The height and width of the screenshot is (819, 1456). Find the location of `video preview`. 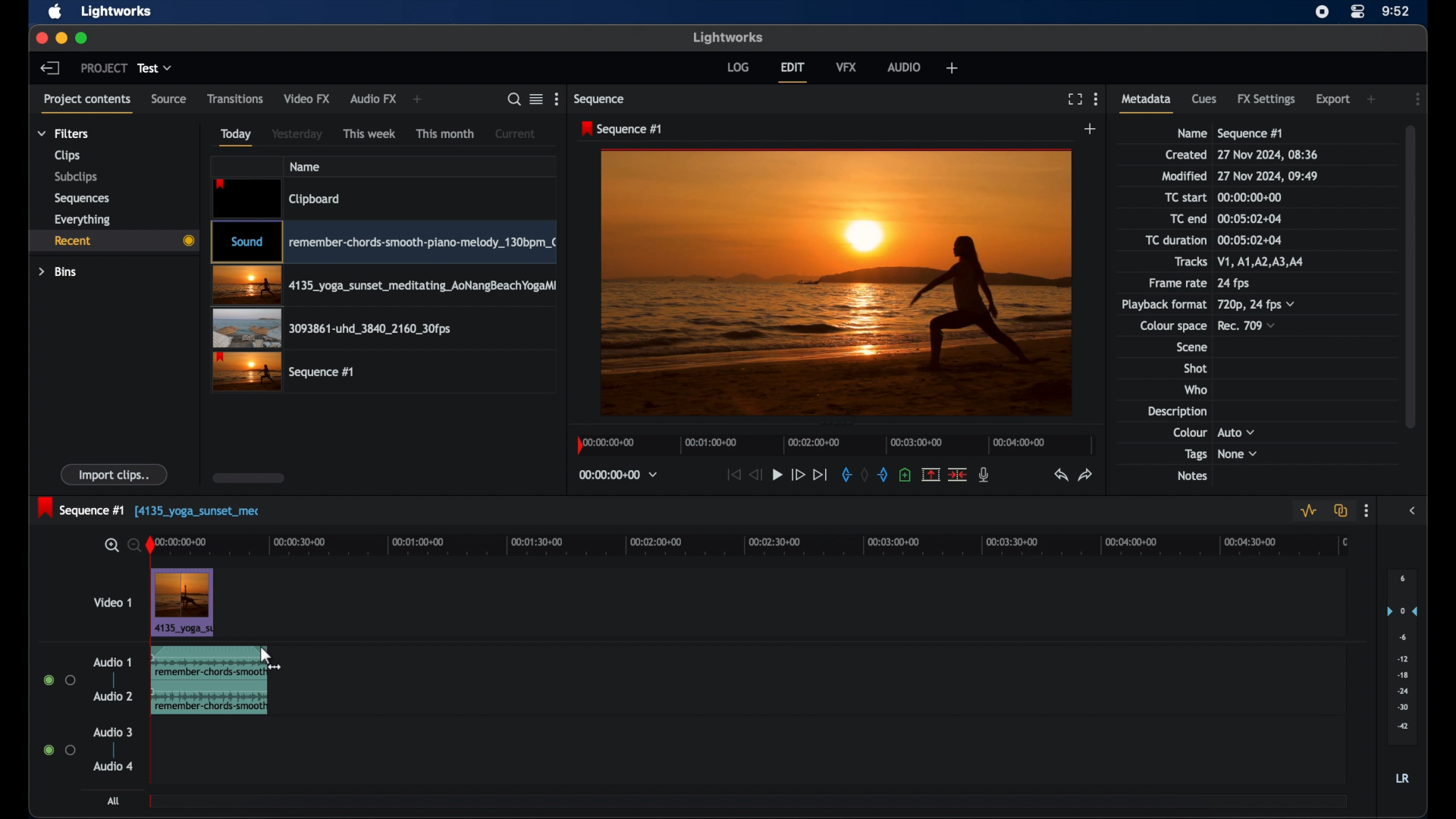

video preview is located at coordinates (836, 281).